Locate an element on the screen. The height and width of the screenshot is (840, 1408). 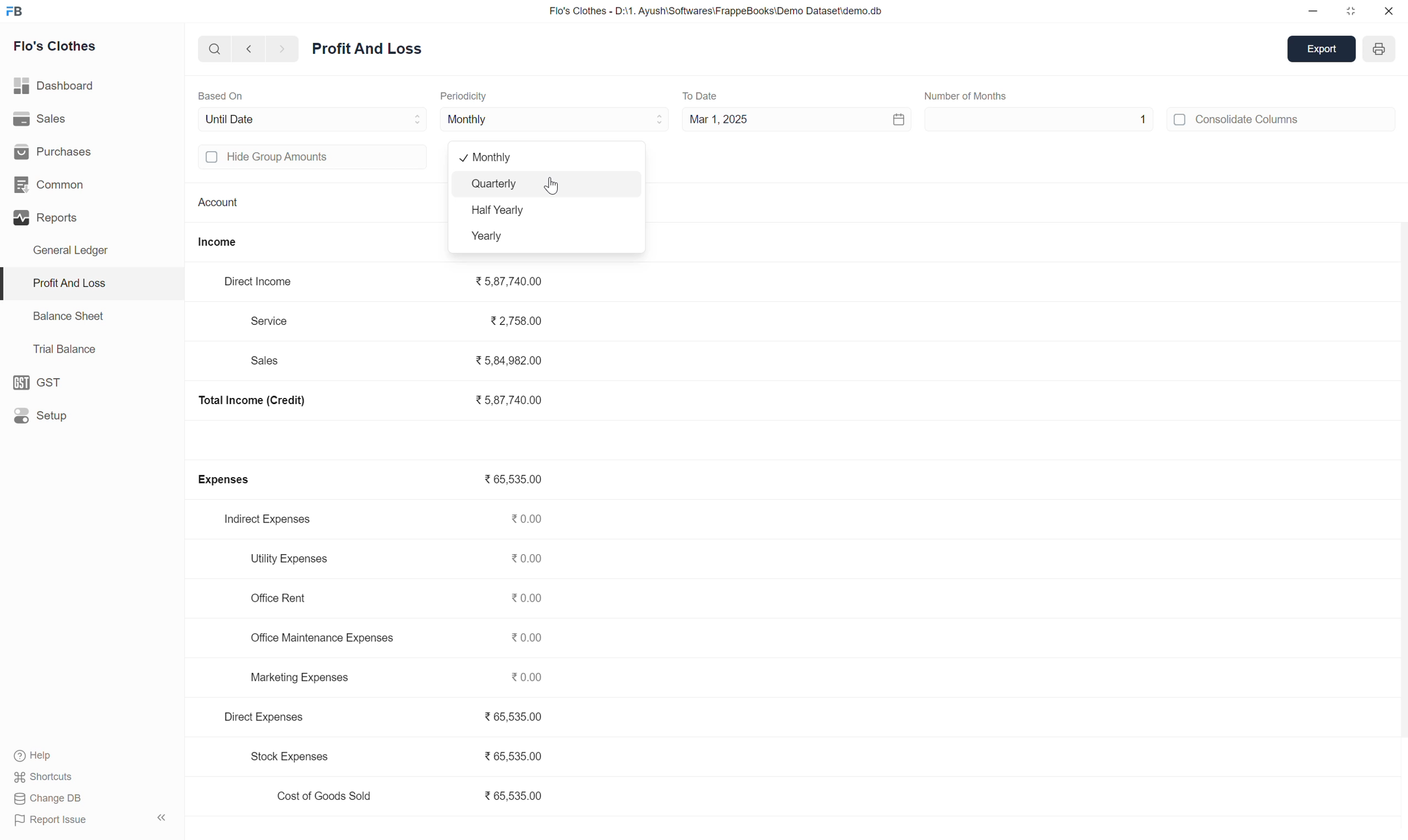
Report Issue « is located at coordinates (93, 820).